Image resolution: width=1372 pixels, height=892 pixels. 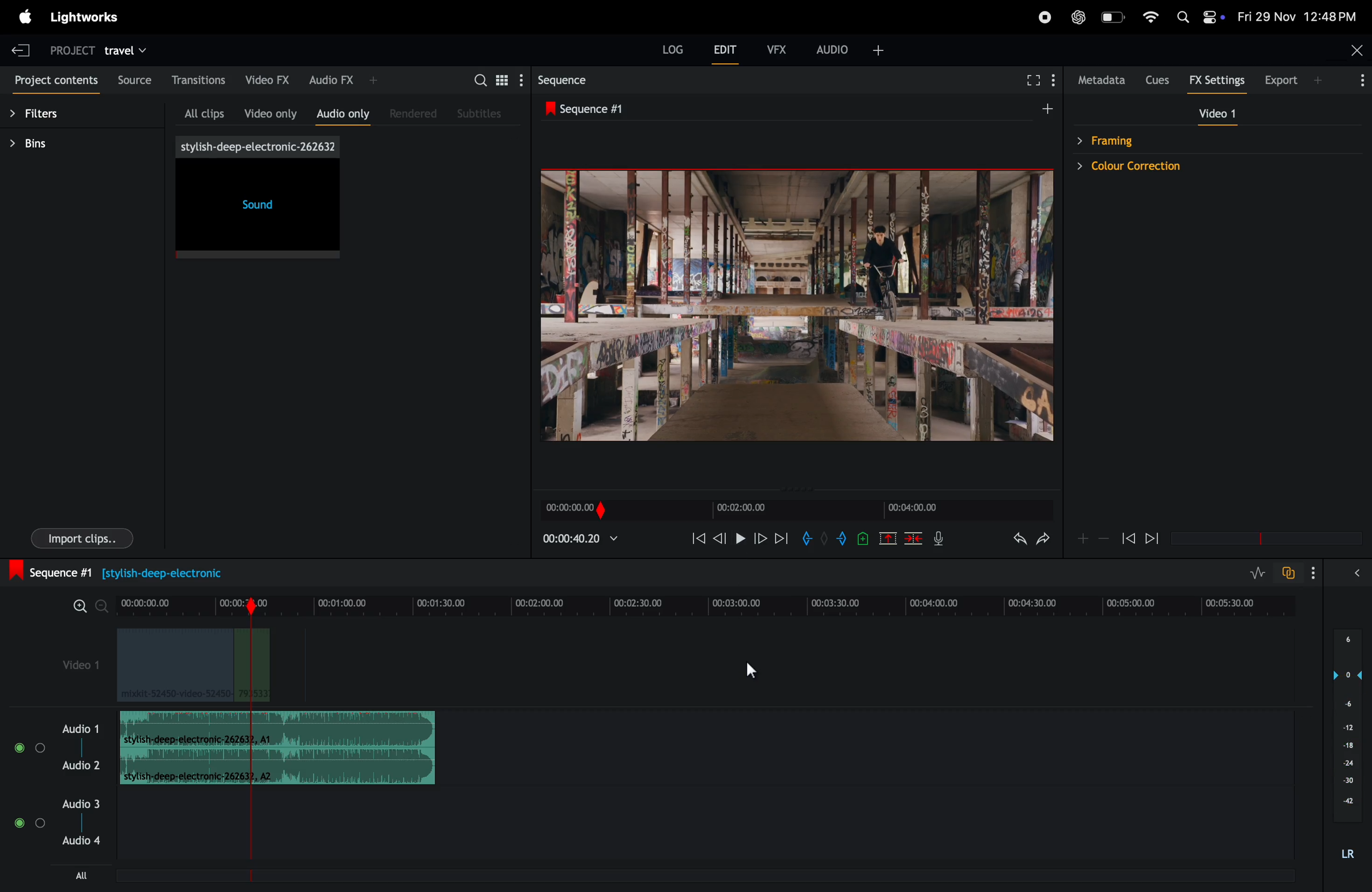 What do you see at coordinates (270, 78) in the screenshot?
I see `video fx` at bounding box center [270, 78].